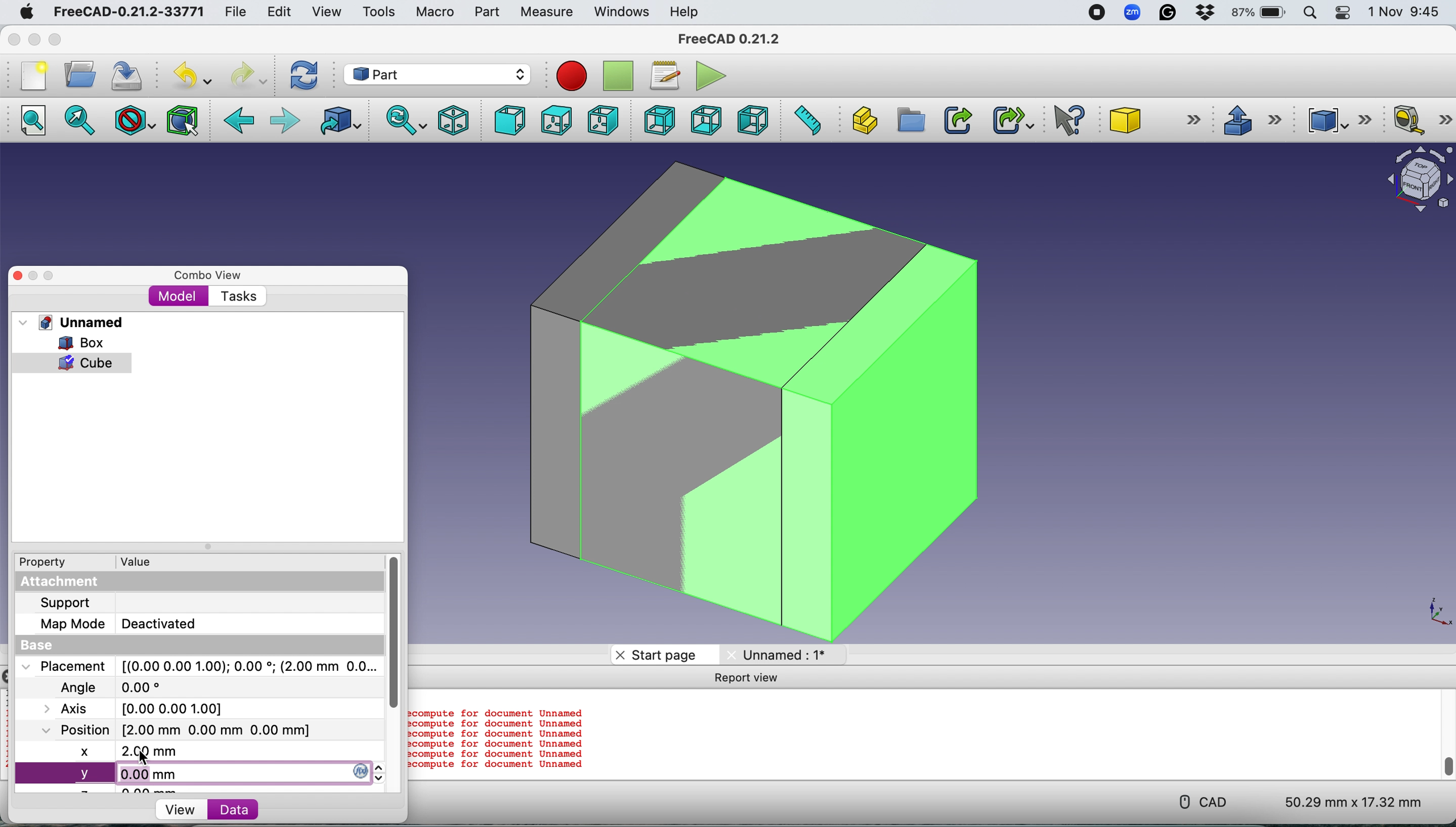 The image size is (1456, 827). Describe the element at coordinates (396, 632) in the screenshot. I see `vertical scroll bar` at that location.